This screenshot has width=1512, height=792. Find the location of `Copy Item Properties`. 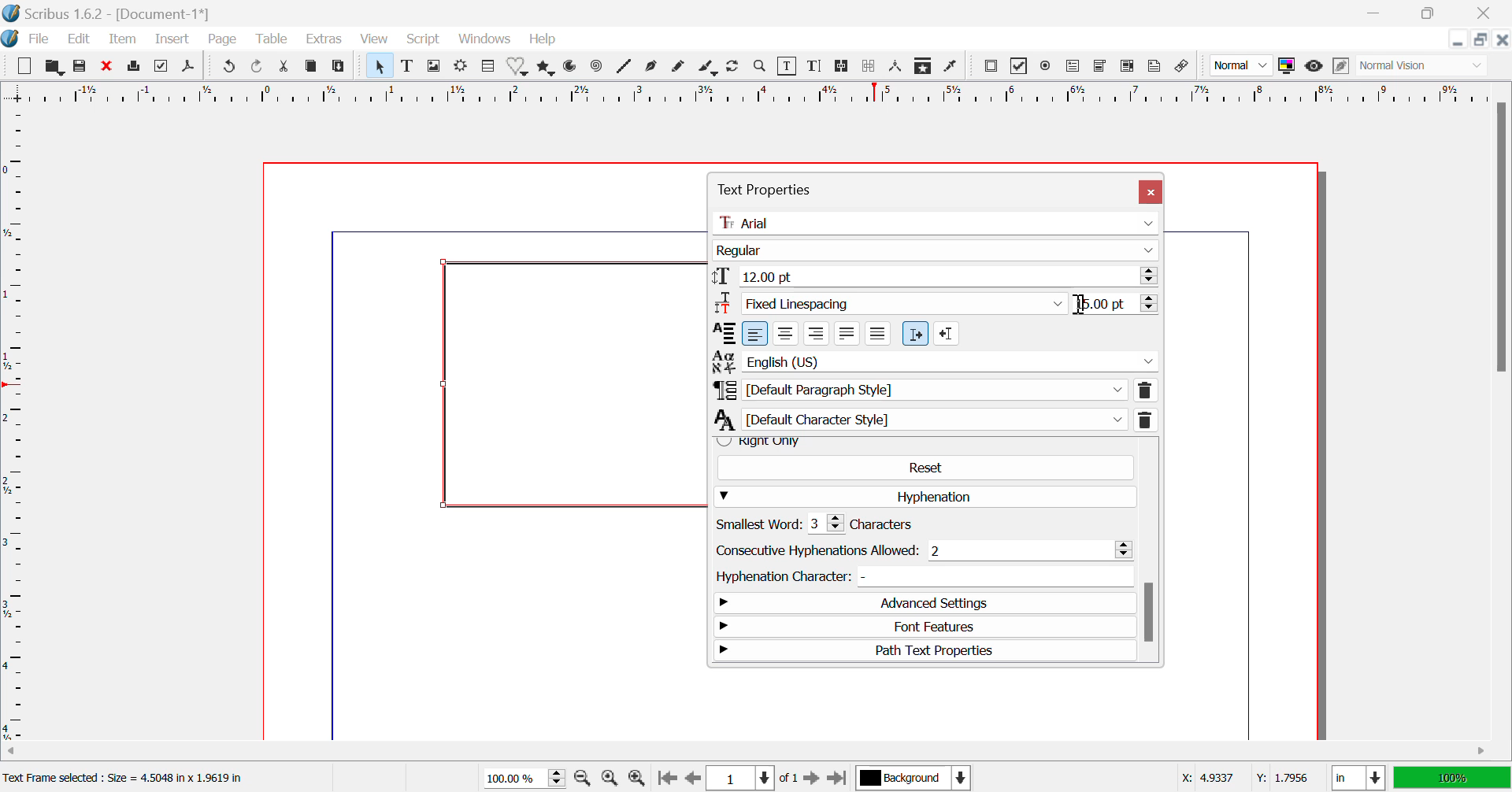

Copy Item Properties is located at coordinates (925, 67).